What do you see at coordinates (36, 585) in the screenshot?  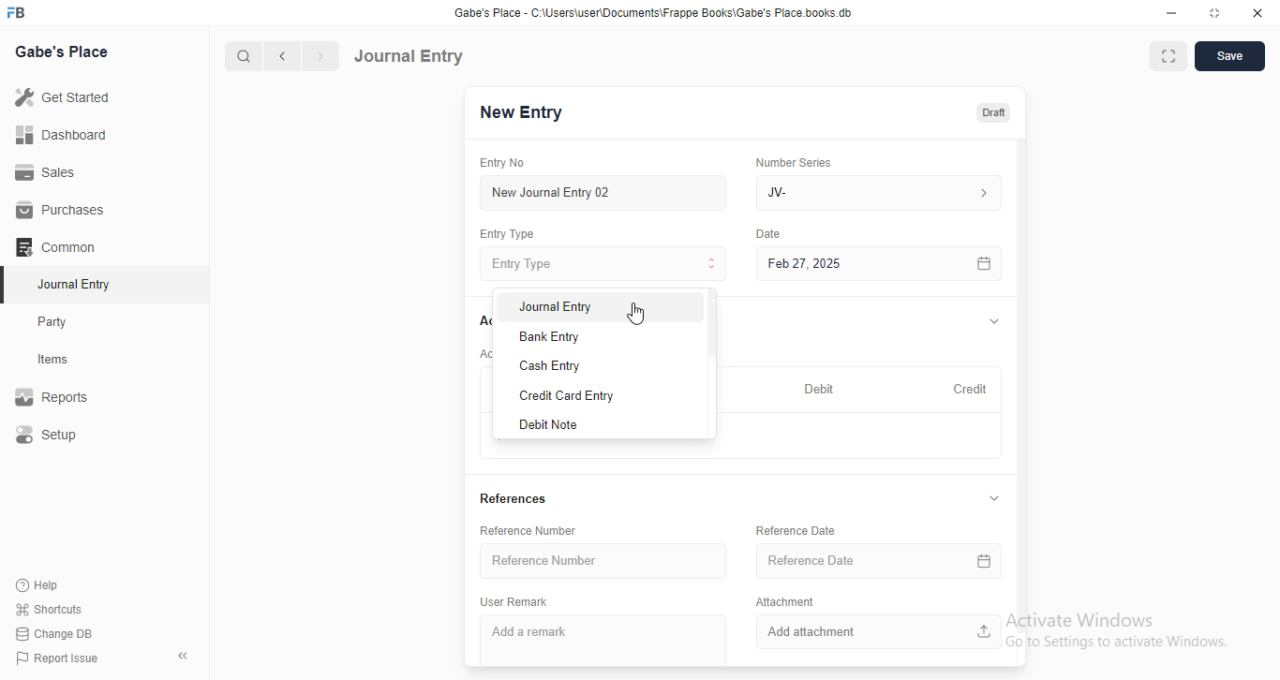 I see `Help` at bounding box center [36, 585].